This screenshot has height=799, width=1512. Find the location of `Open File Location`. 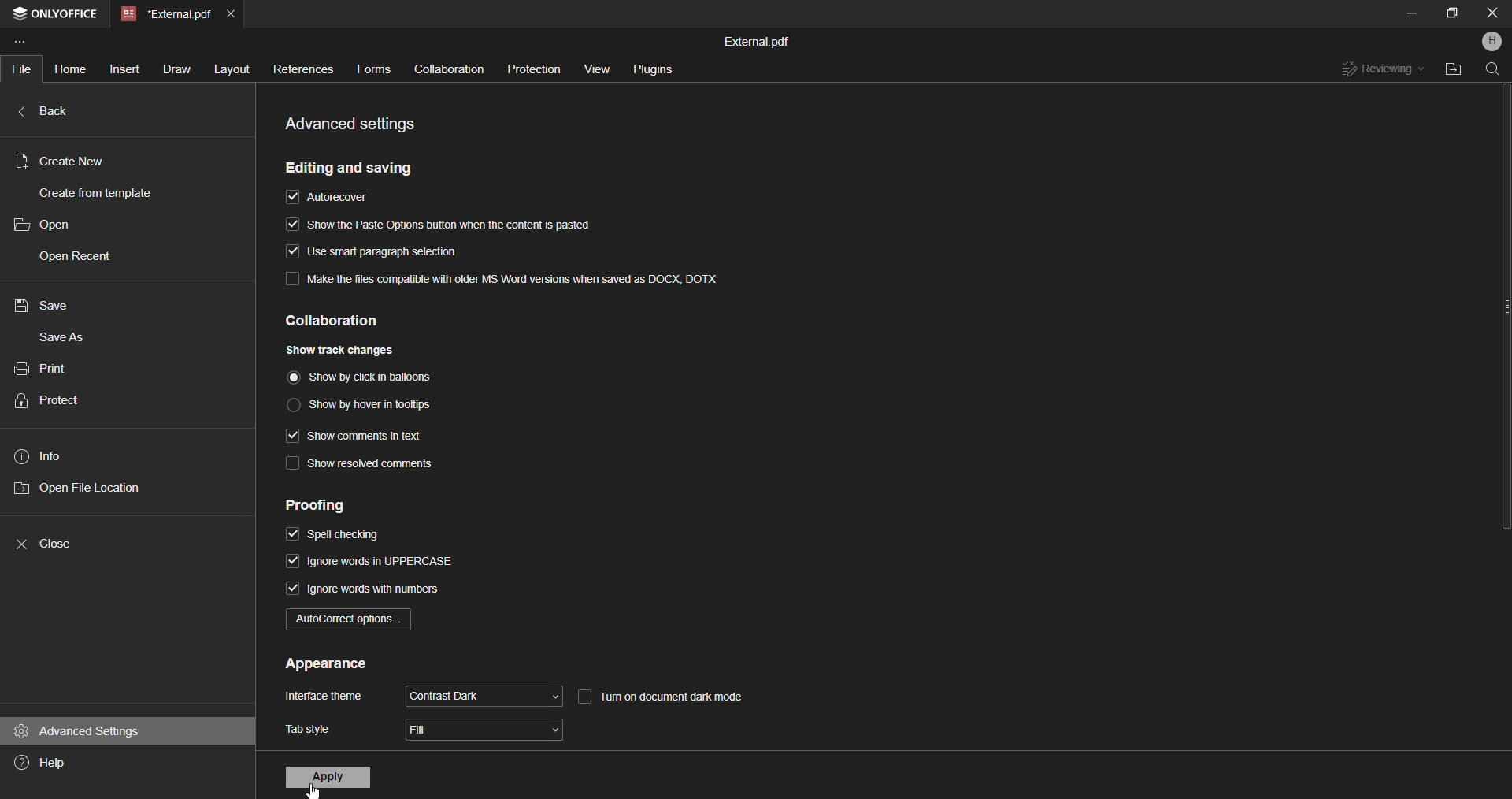

Open File Location is located at coordinates (1452, 70).